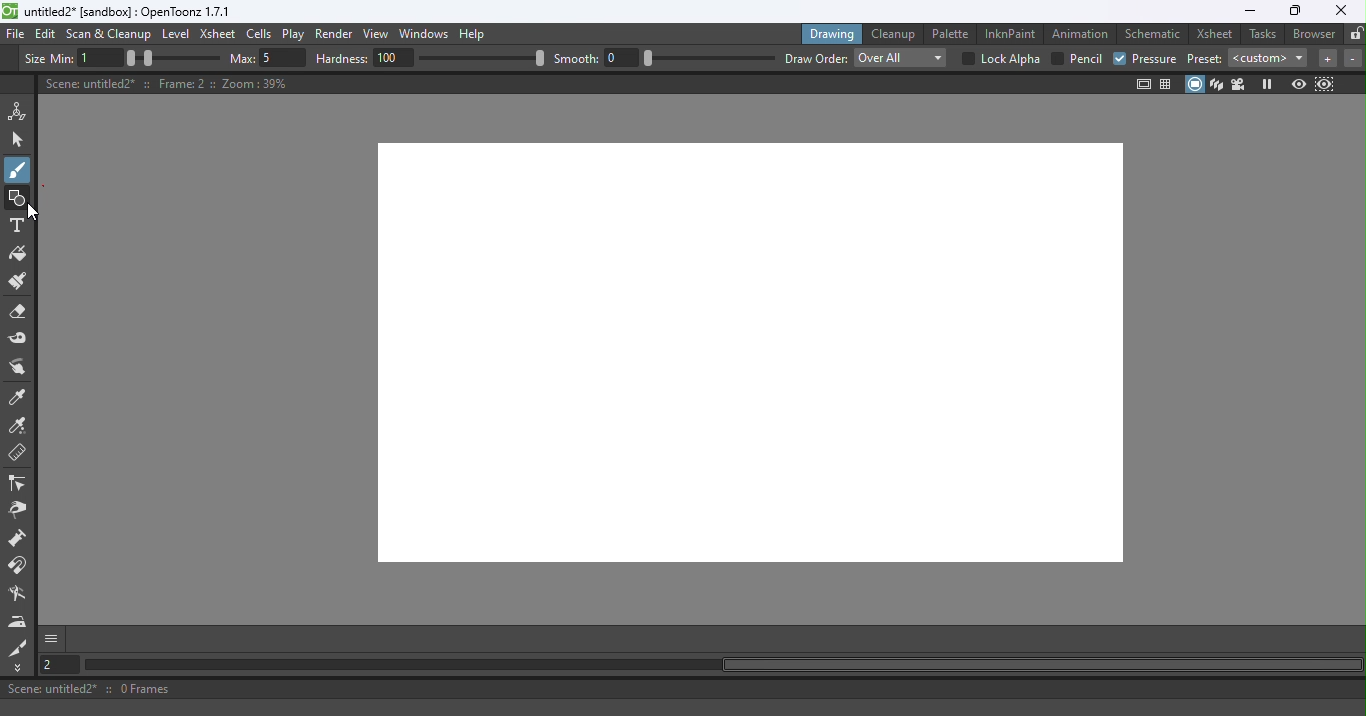 The height and width of the screenshot is (716, 1366). Describe the element at coordinates (18, 485) in the screenshot. I see `Control point editor tool` at that location.